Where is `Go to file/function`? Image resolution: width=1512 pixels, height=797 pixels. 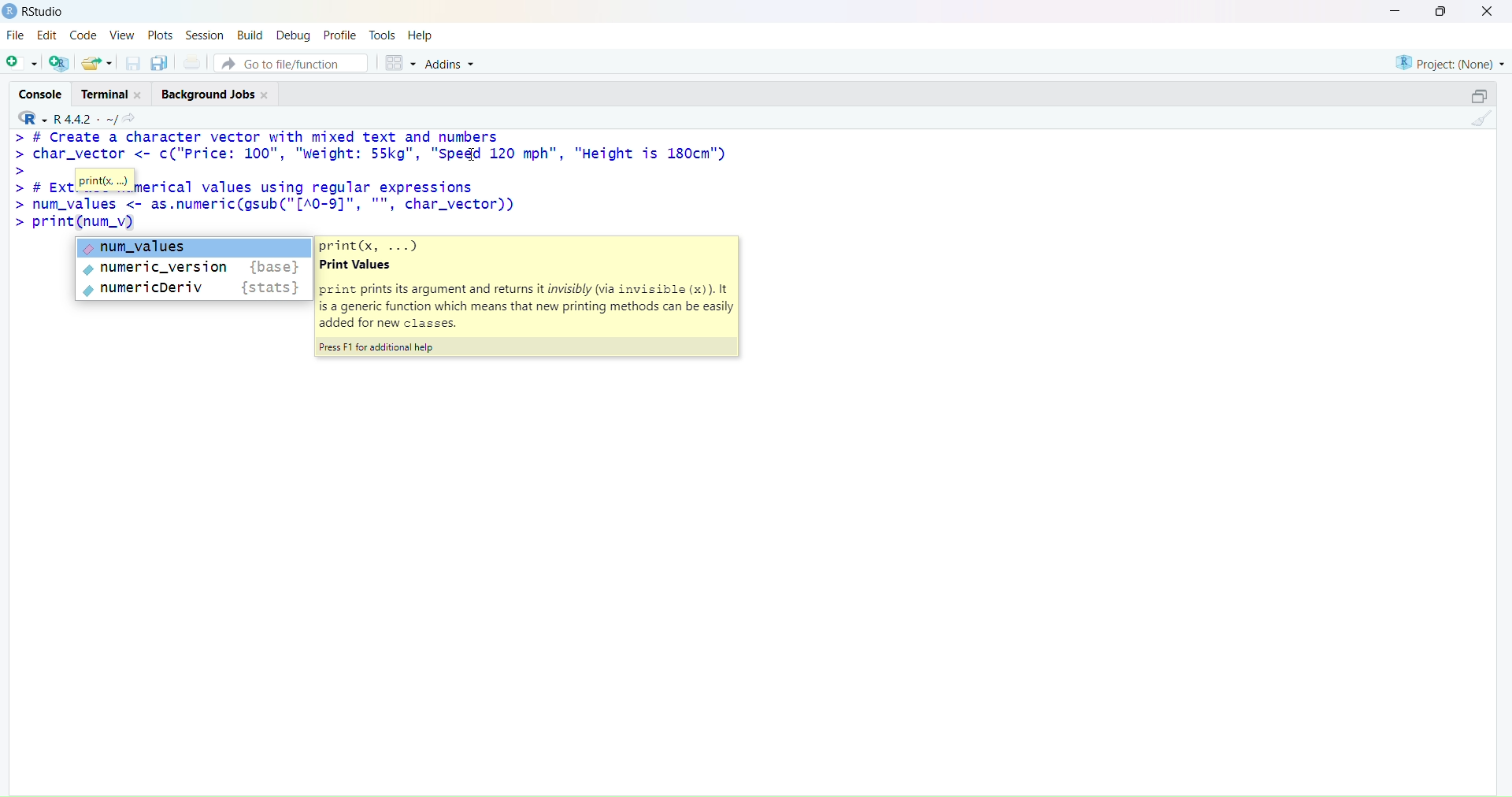
Go to file/function is located at coordinates (292, 63).